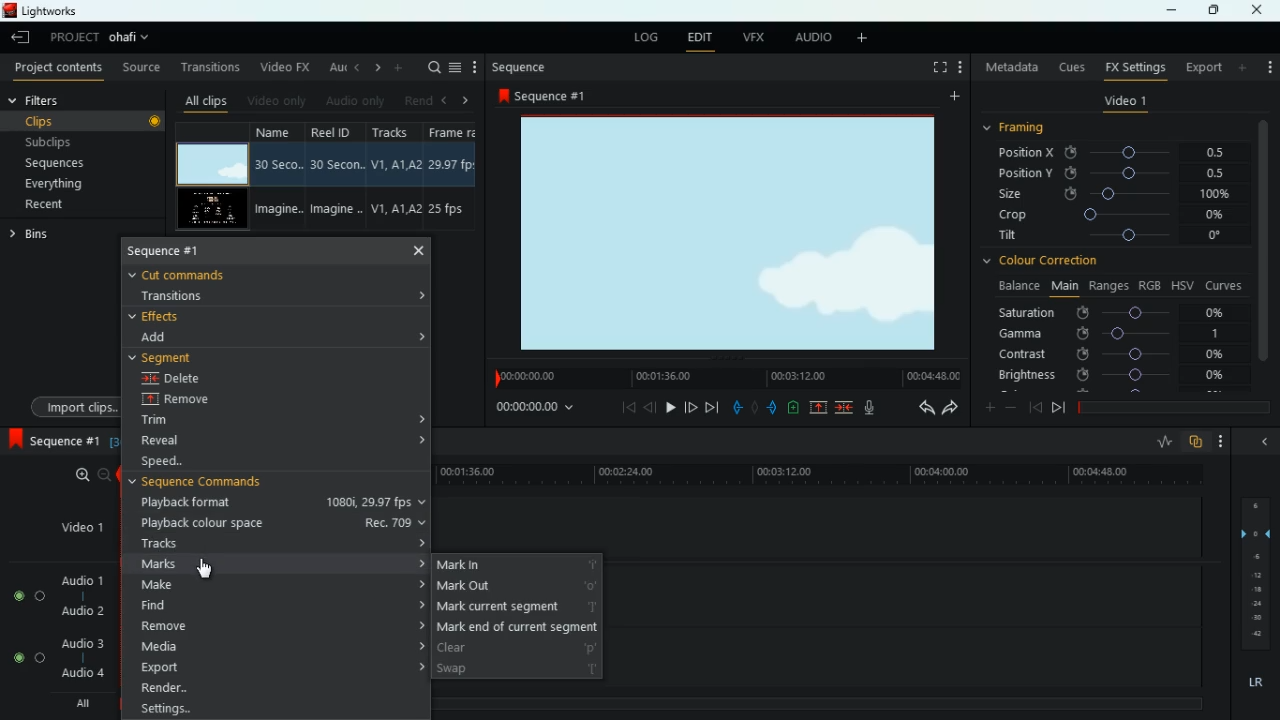 The width and height of the screenshot is (1280, 720). Describe the element at coordinates (72, 407) in the screenshot. I see `import clips` at that location.